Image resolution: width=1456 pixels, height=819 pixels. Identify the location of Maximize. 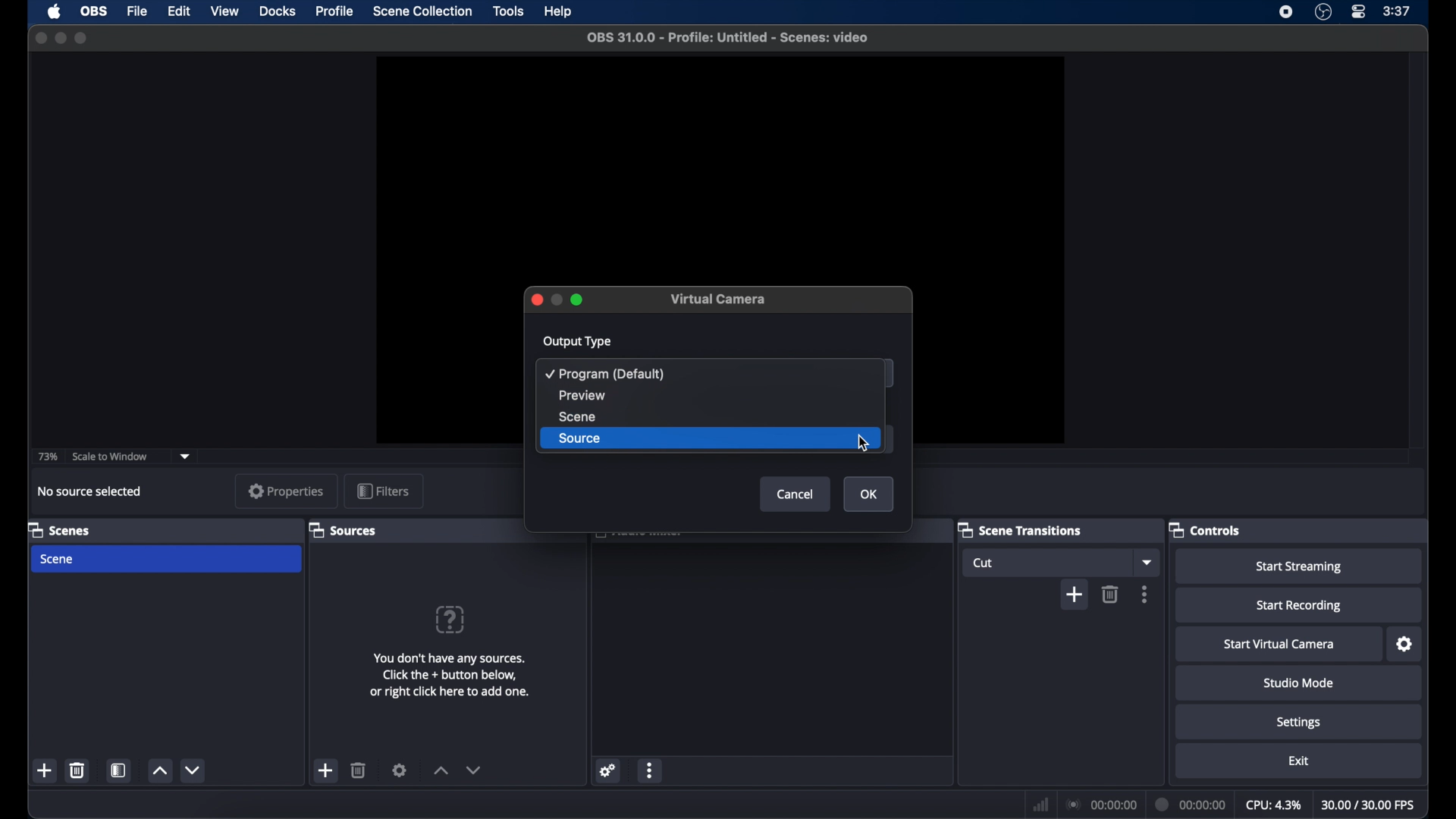
(578, 300).